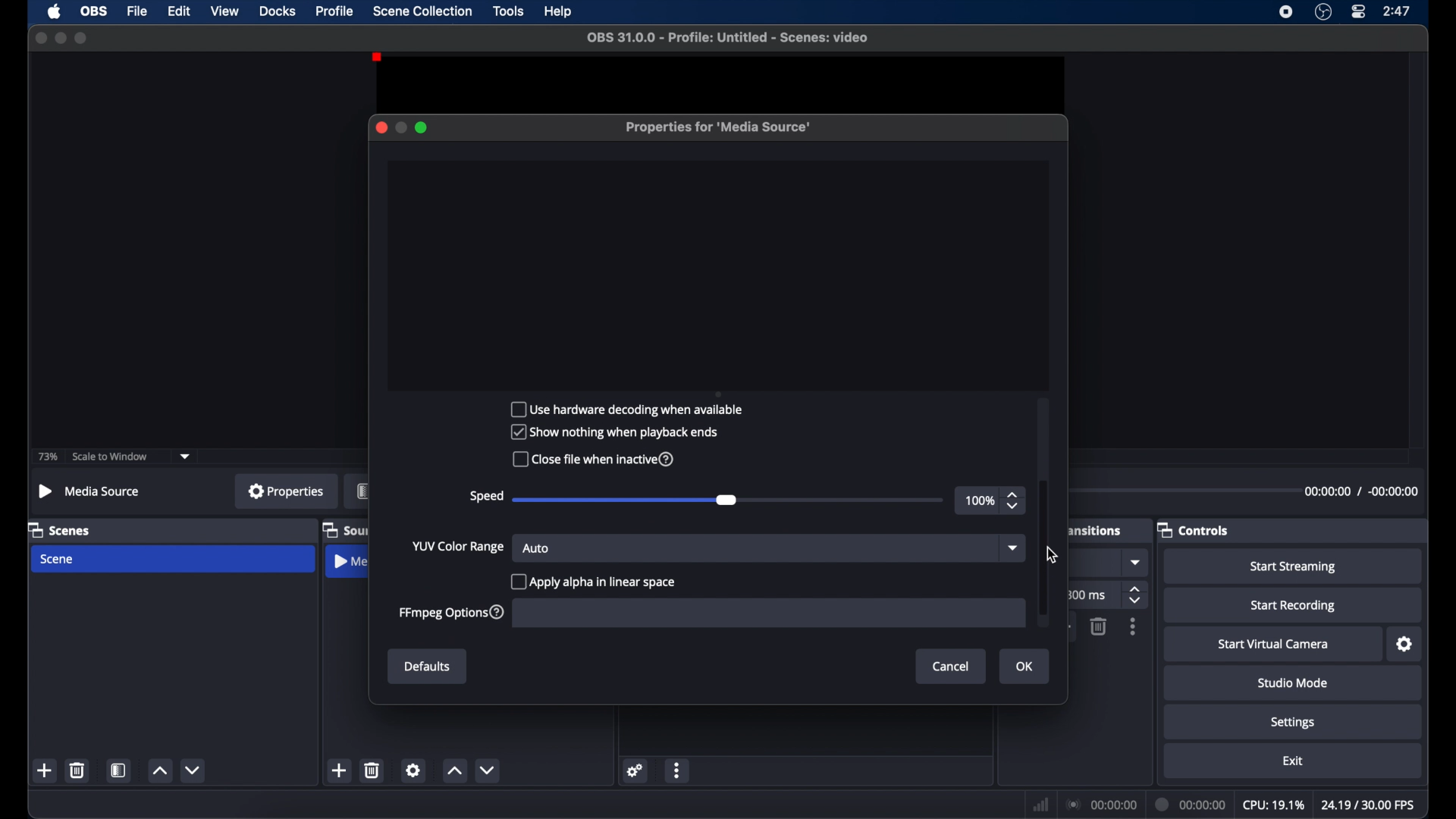 The height and width of the screenshot is (819, 1456). What do you see at coordinates (1137, 562) in the screenshot?
I see `dropdown` at bounding box center [1137, 562].